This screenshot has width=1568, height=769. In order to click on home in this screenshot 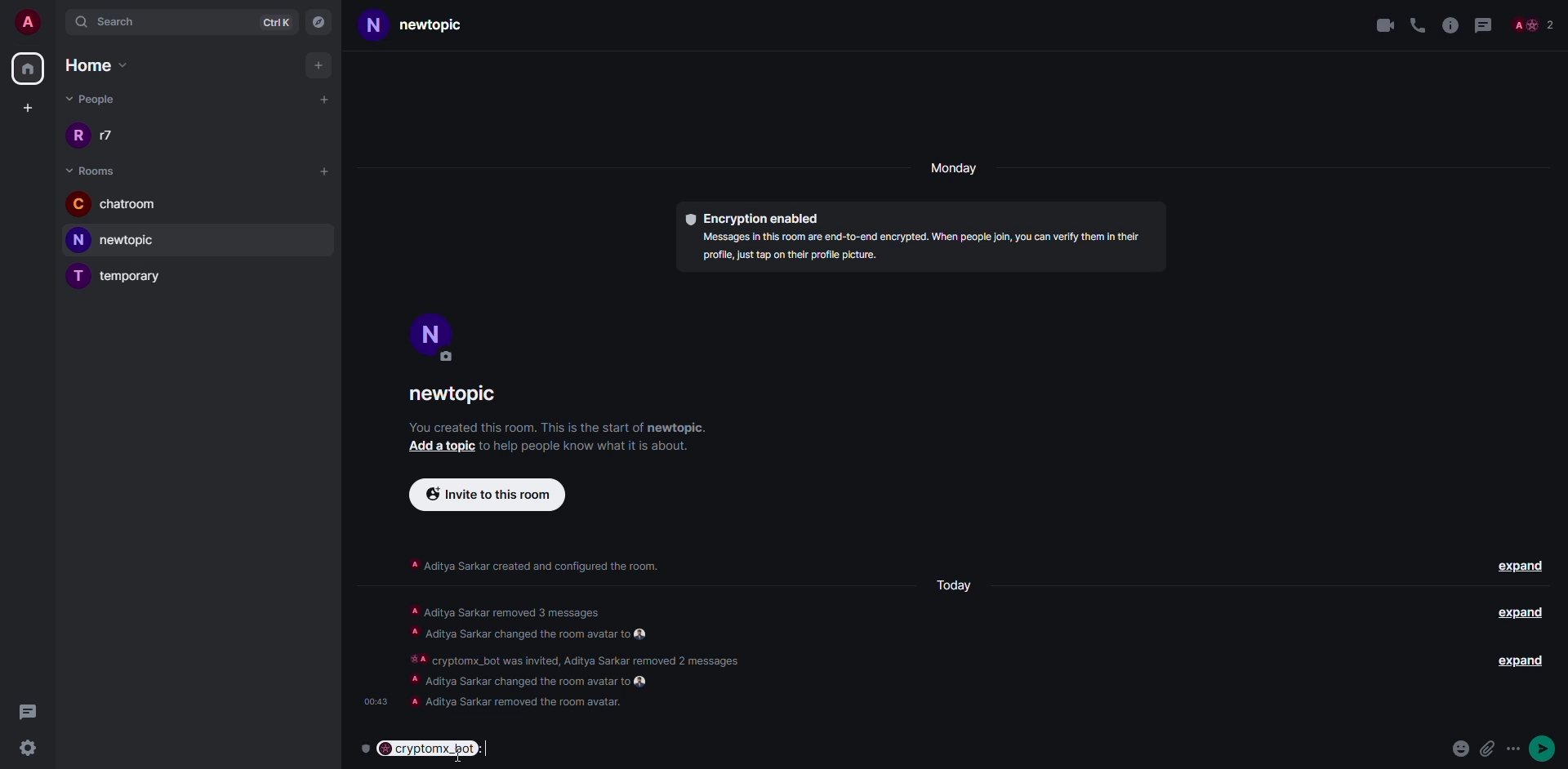, I will do `click(106, 65)`.